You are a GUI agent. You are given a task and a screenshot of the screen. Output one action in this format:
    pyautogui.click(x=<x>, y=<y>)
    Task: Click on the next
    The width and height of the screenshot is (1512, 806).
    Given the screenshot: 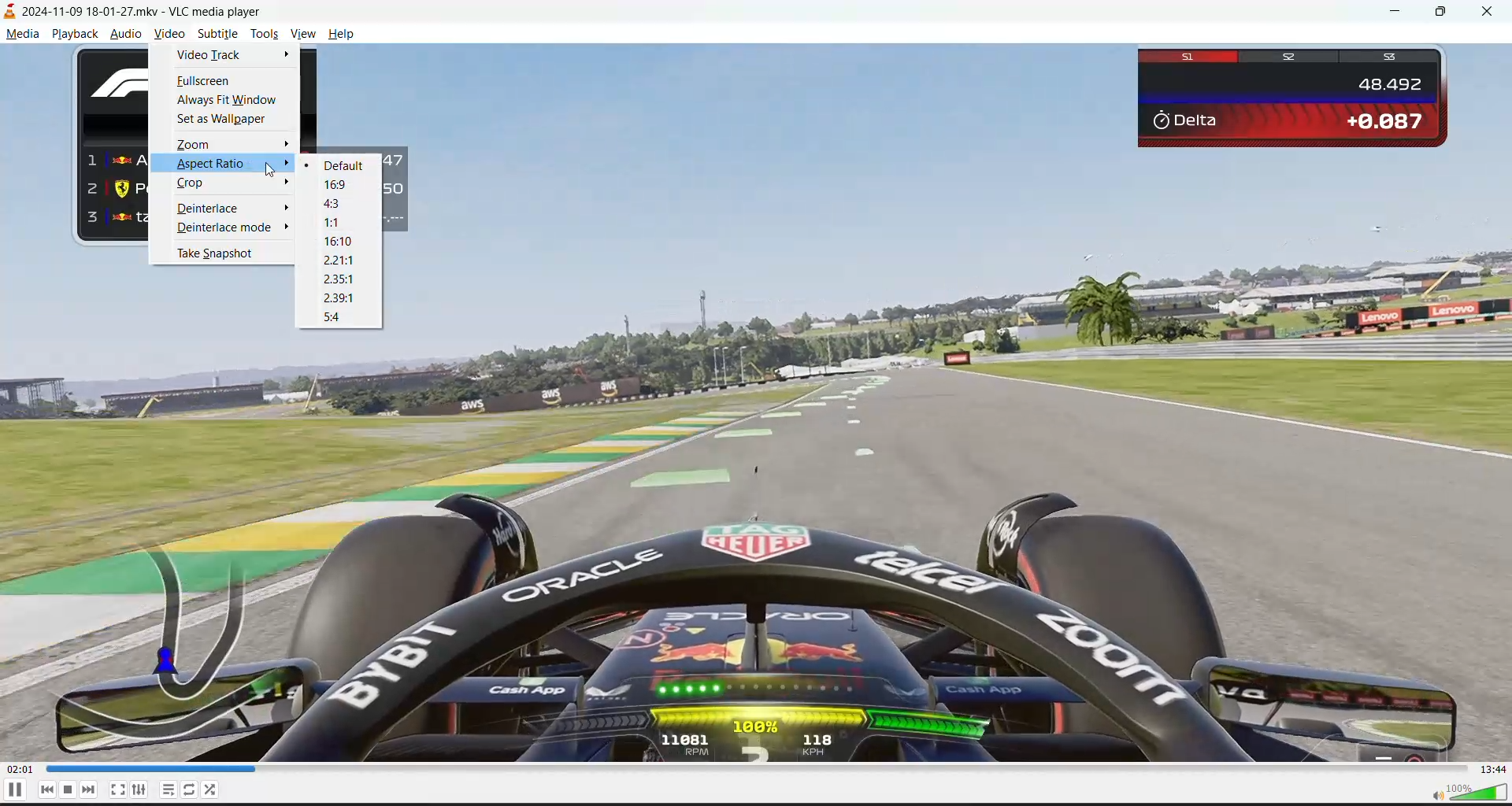 What is the action you would take?
    pyautogui.click(x=94, y=789)
    